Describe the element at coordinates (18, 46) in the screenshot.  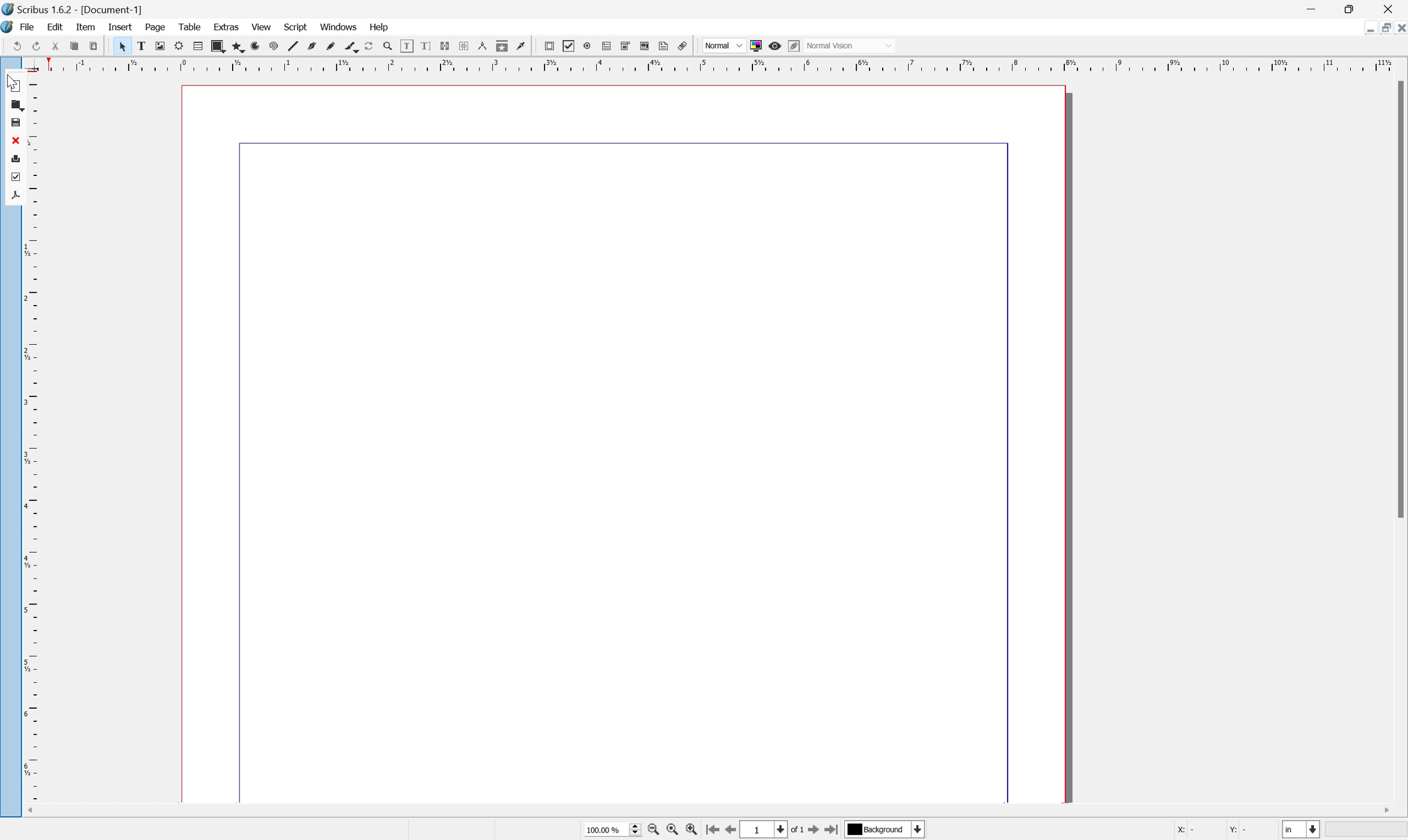
I see `new` at that location.